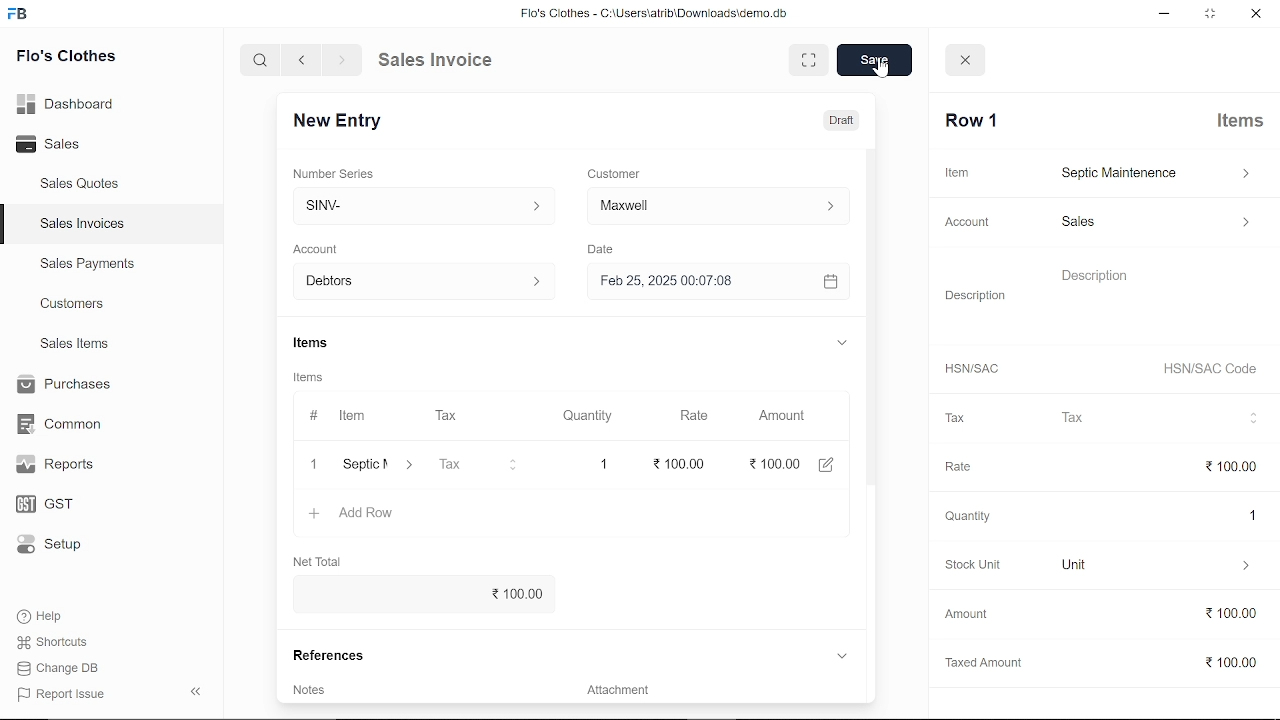  Describe the element at coordinates (805, 59) in the screenshot. I see `expand` at that location.